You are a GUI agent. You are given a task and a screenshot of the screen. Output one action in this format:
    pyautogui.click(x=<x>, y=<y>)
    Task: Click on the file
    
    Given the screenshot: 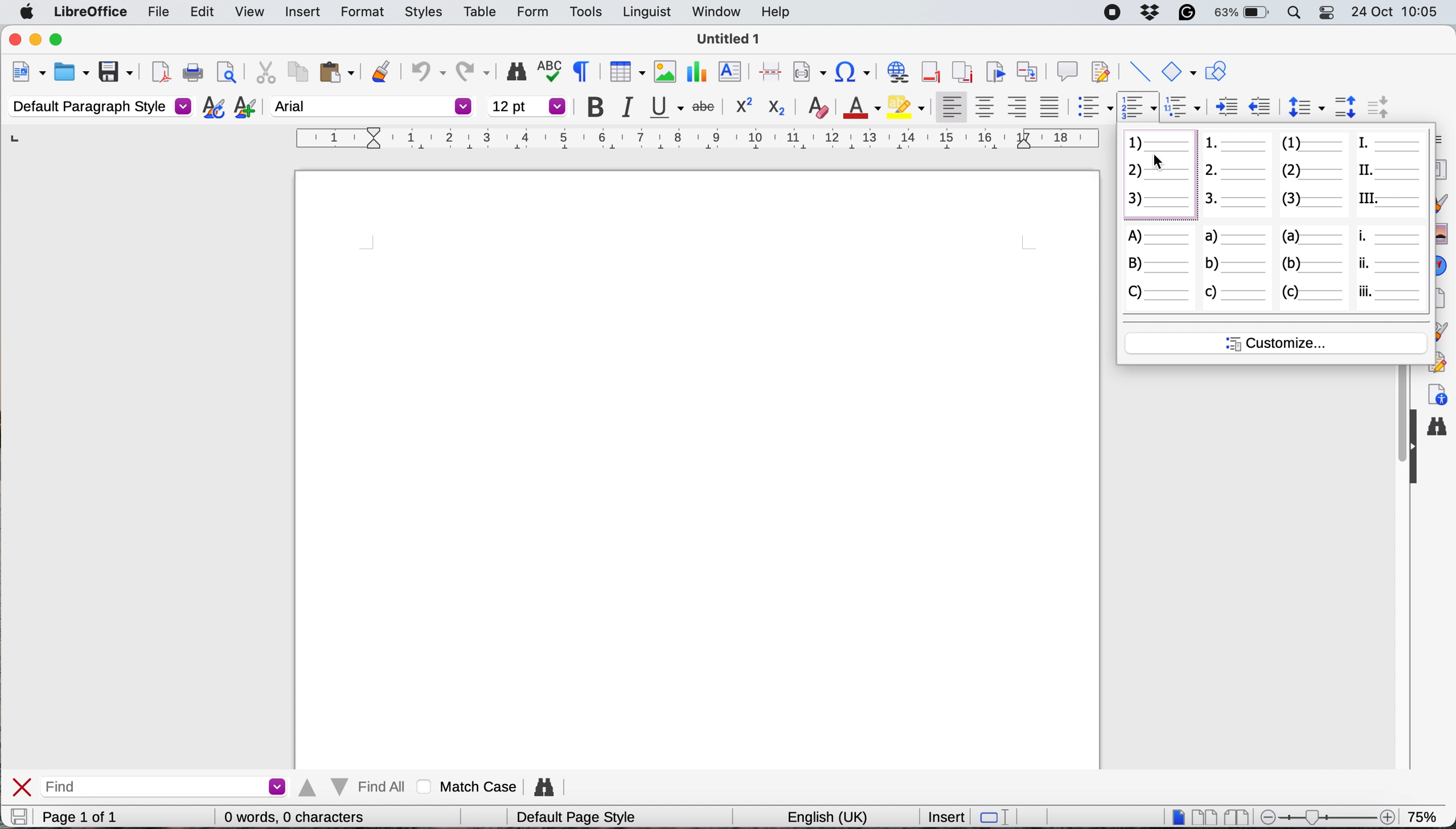 What is the action you would take?
    pyautogui.click(x=159, y=14)
    